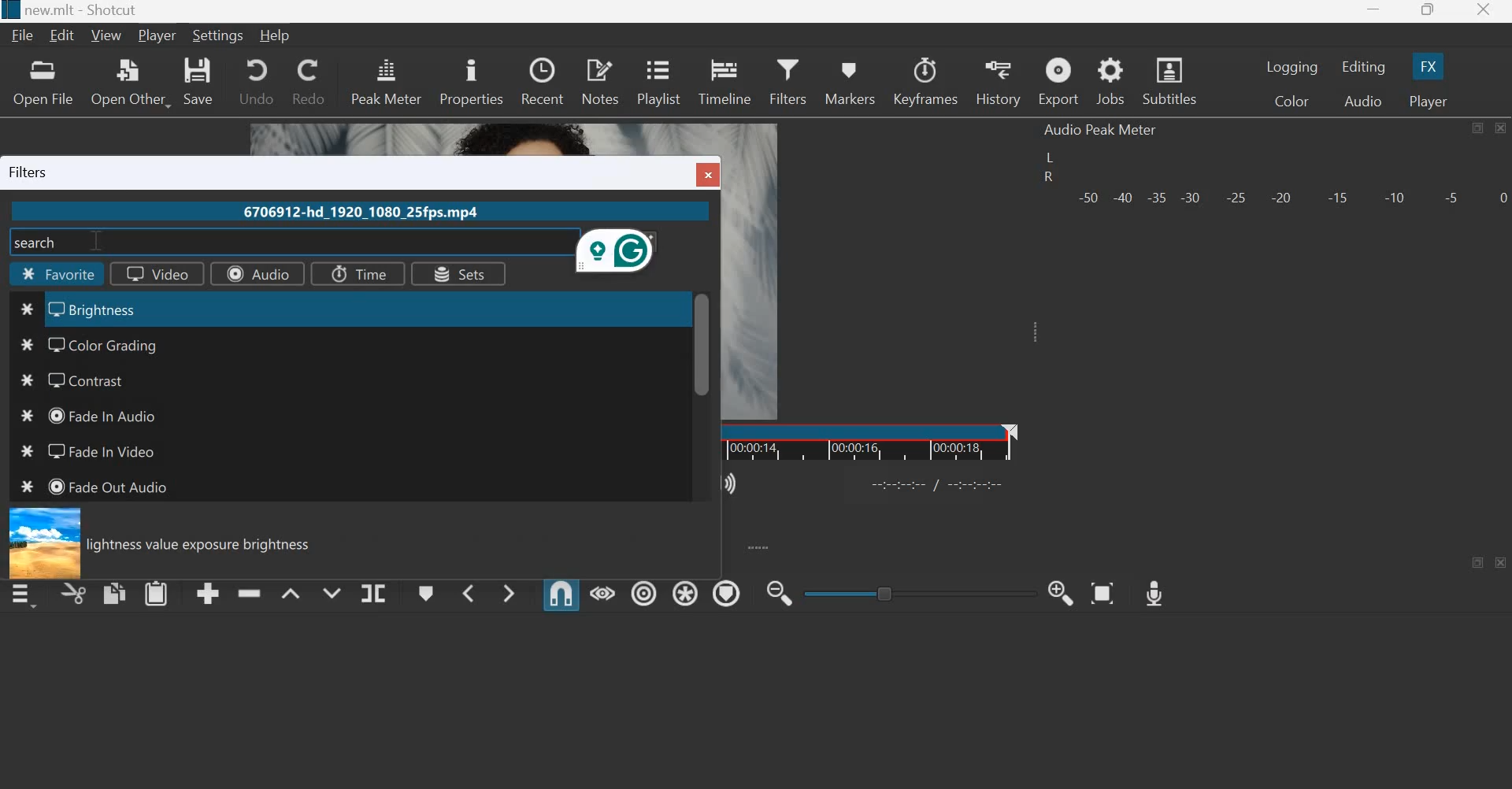 The width and height of the screenshot is (1512, 789). What do you see at coordinates (129, 82) in the screenshot?
I see `open other` at bounding box center [129, 82].